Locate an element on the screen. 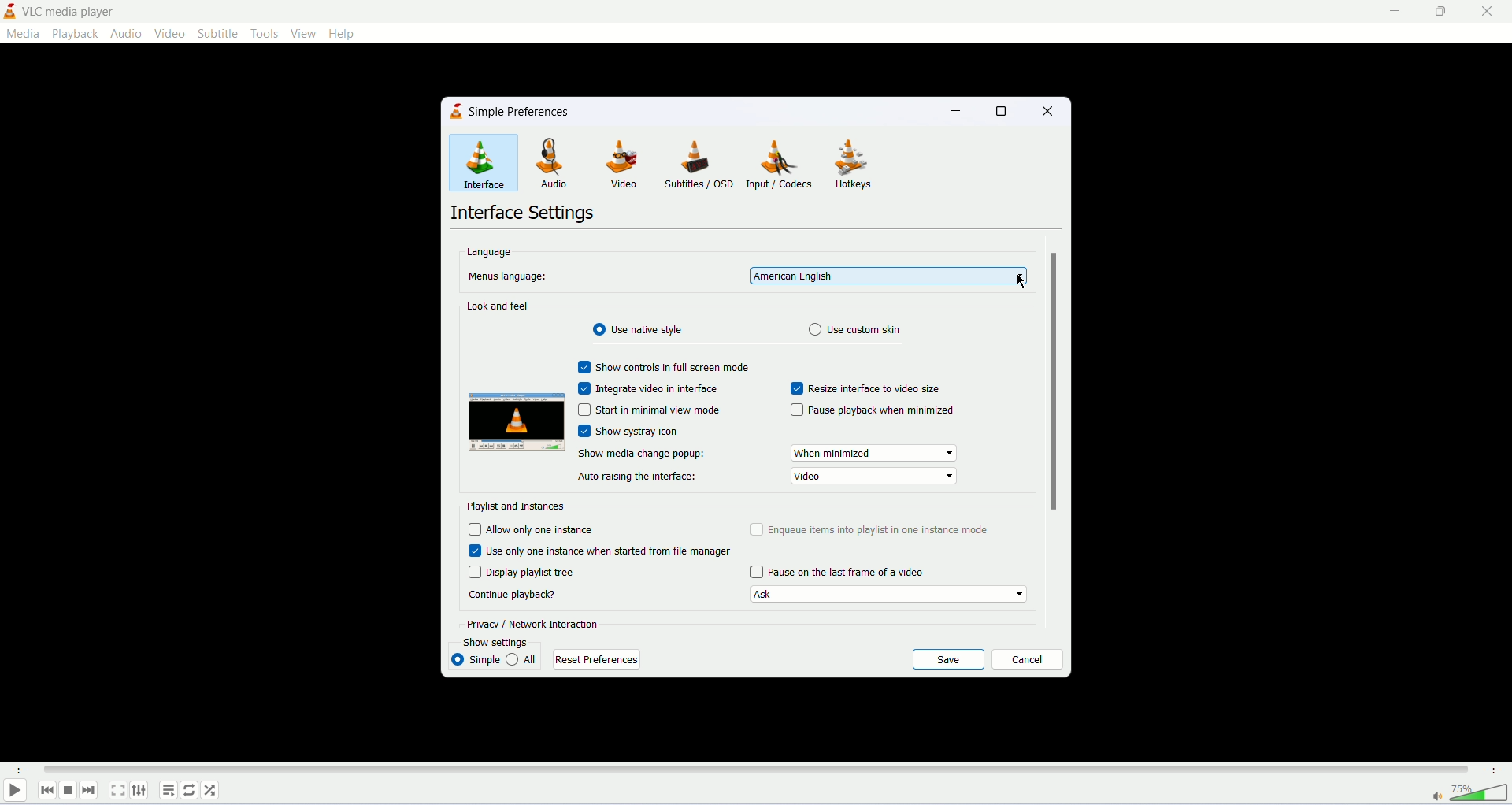  audio is located at coordinates (128, 35).